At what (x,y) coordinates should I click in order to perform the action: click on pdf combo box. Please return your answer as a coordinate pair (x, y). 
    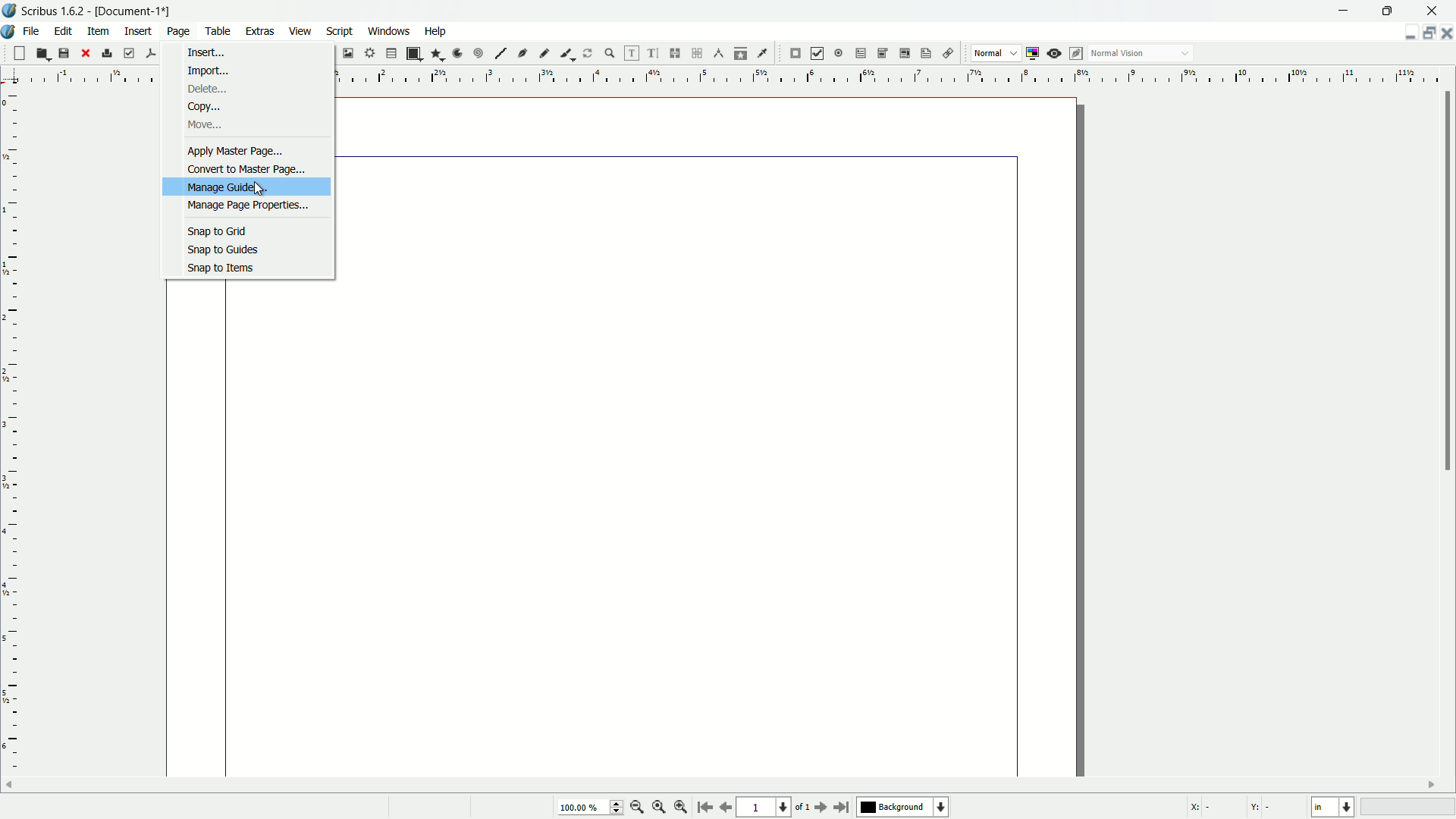
    Looking at the image, I should click on (881, 52).